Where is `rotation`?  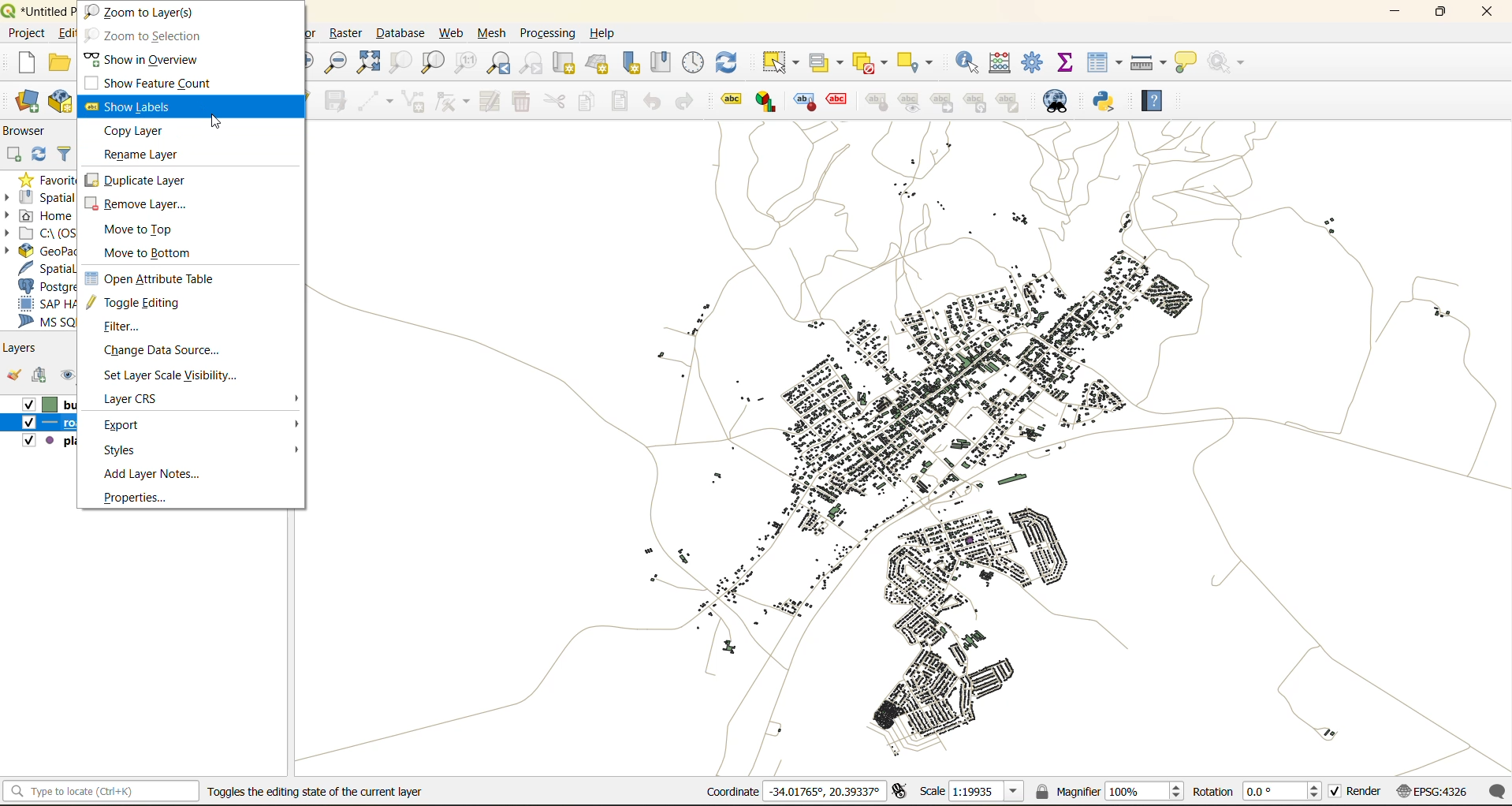
rotation is located at coordinates (1260, 790).